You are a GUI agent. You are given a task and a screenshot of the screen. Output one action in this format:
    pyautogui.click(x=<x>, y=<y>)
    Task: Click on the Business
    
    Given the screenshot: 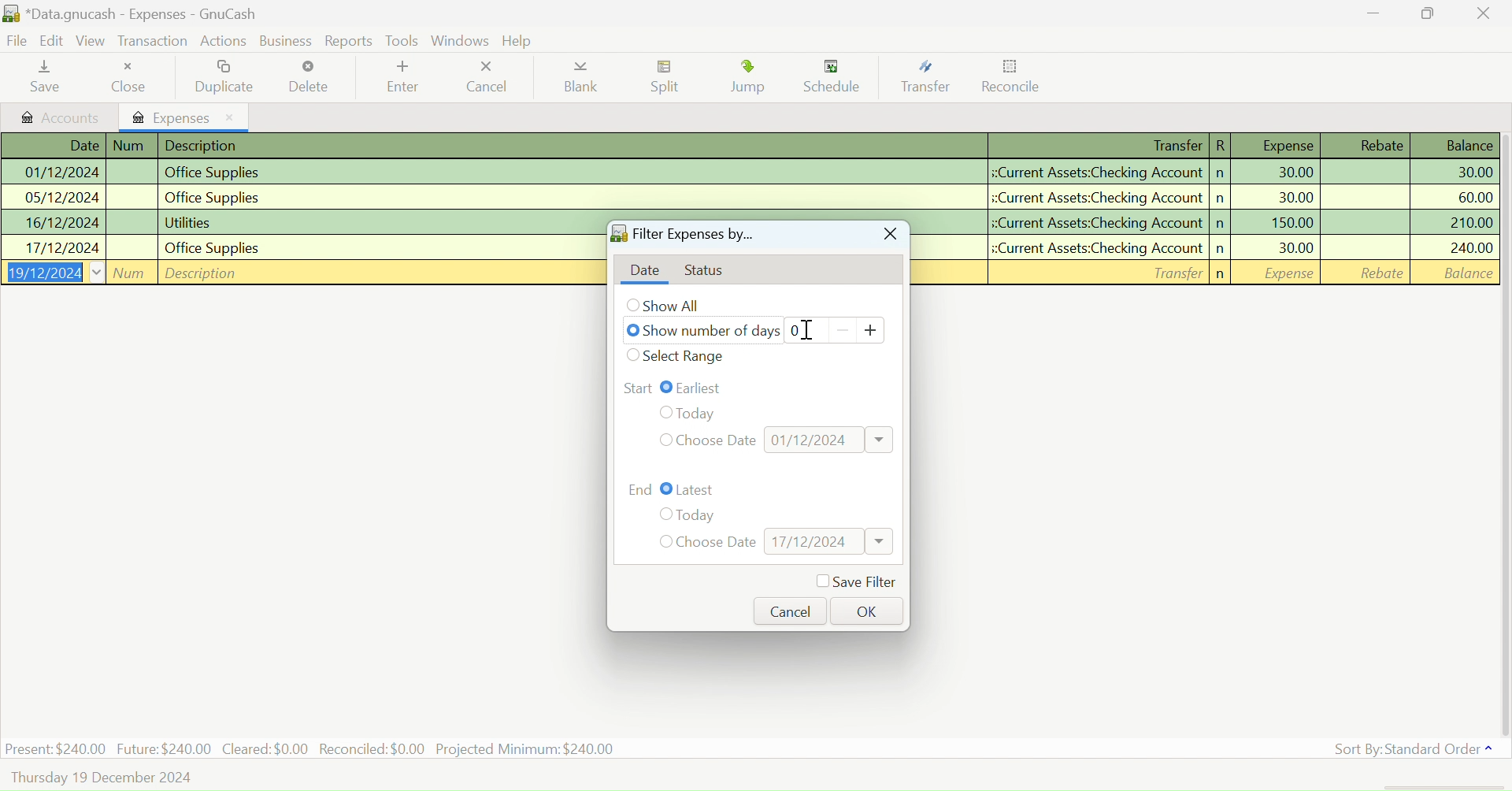 What is the action you would take?
    pyautogui.click(x=288, y=41)
    